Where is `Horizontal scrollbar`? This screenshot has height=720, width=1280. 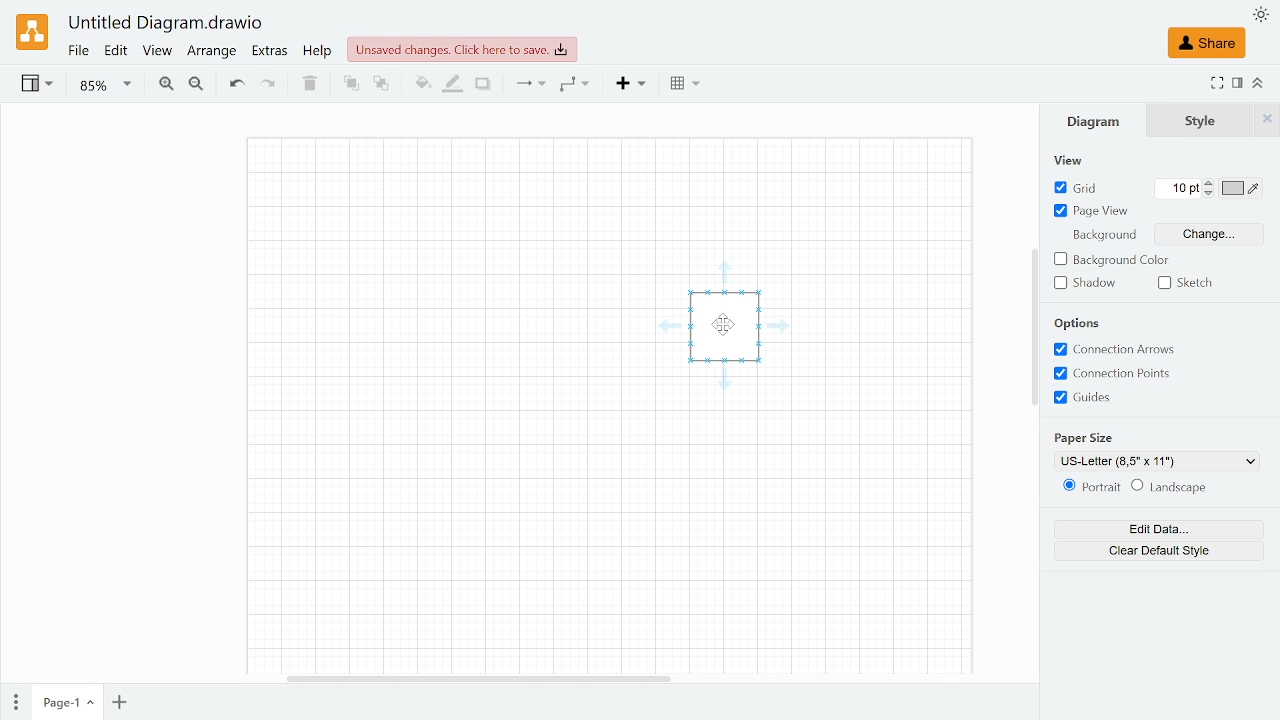
Horizontal scrollbar is located at coordinates (479, 677).